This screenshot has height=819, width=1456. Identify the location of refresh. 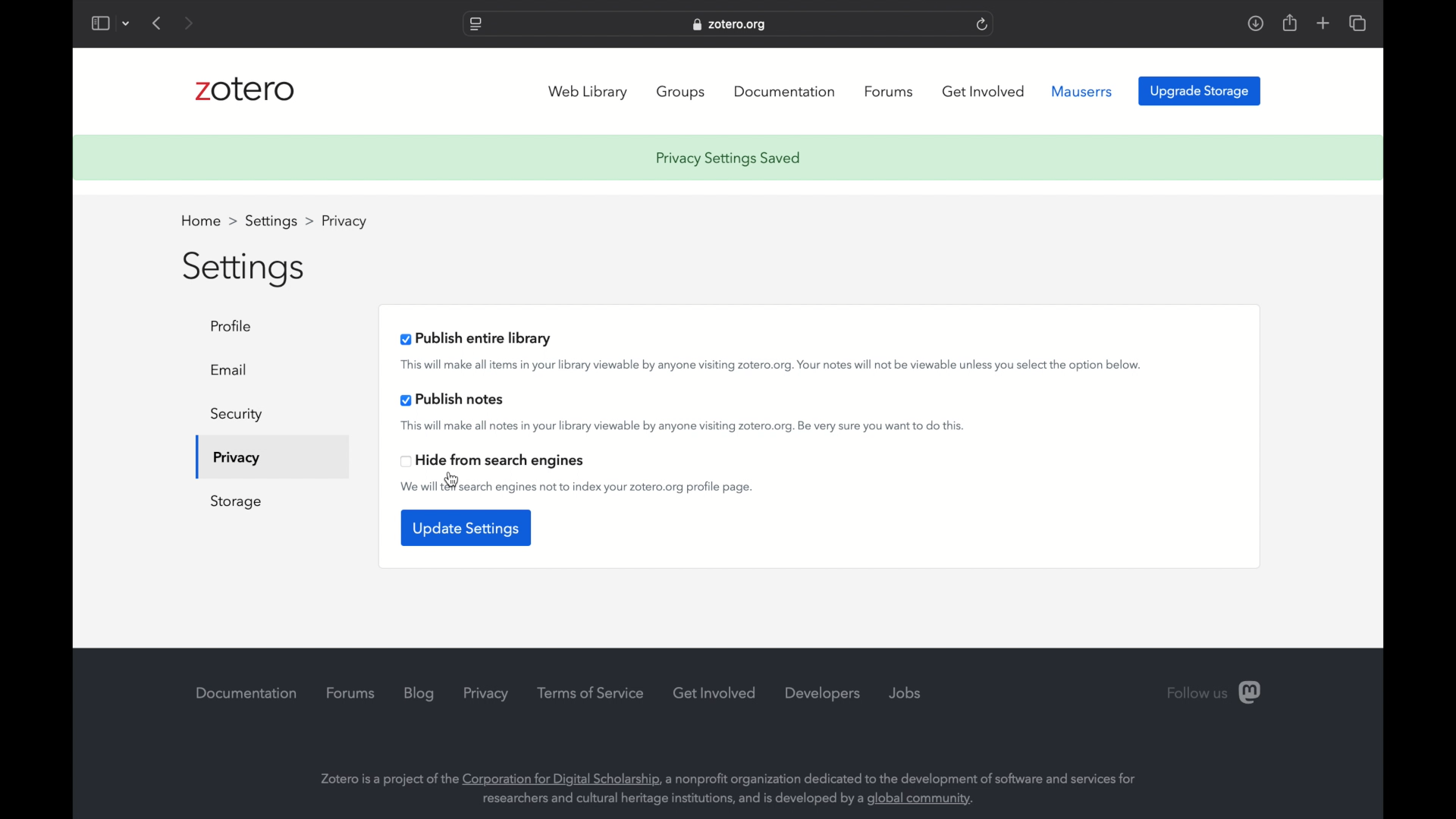
(983, 24).